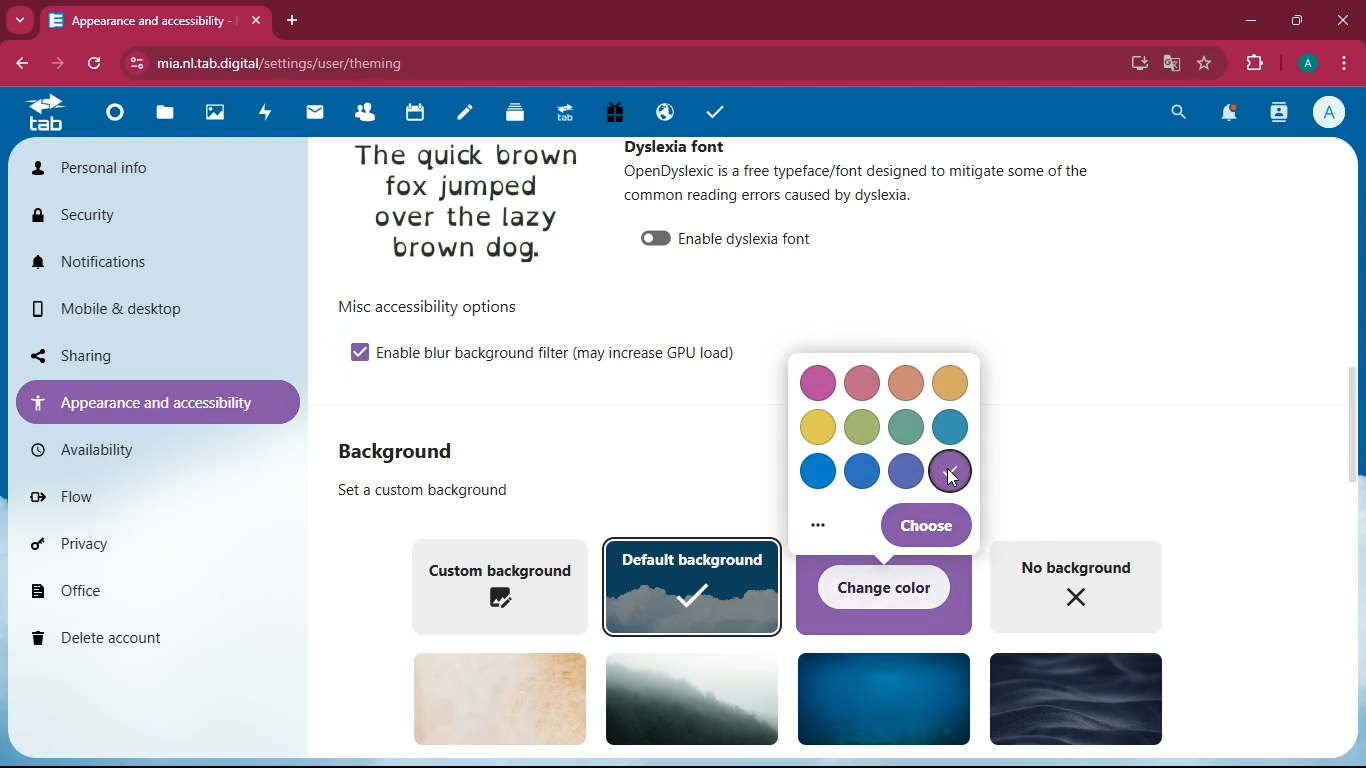 The image size is (1366, 768). Describe the element at coordinates (144, 262) in the screenshot. I see `notifications` at that location.